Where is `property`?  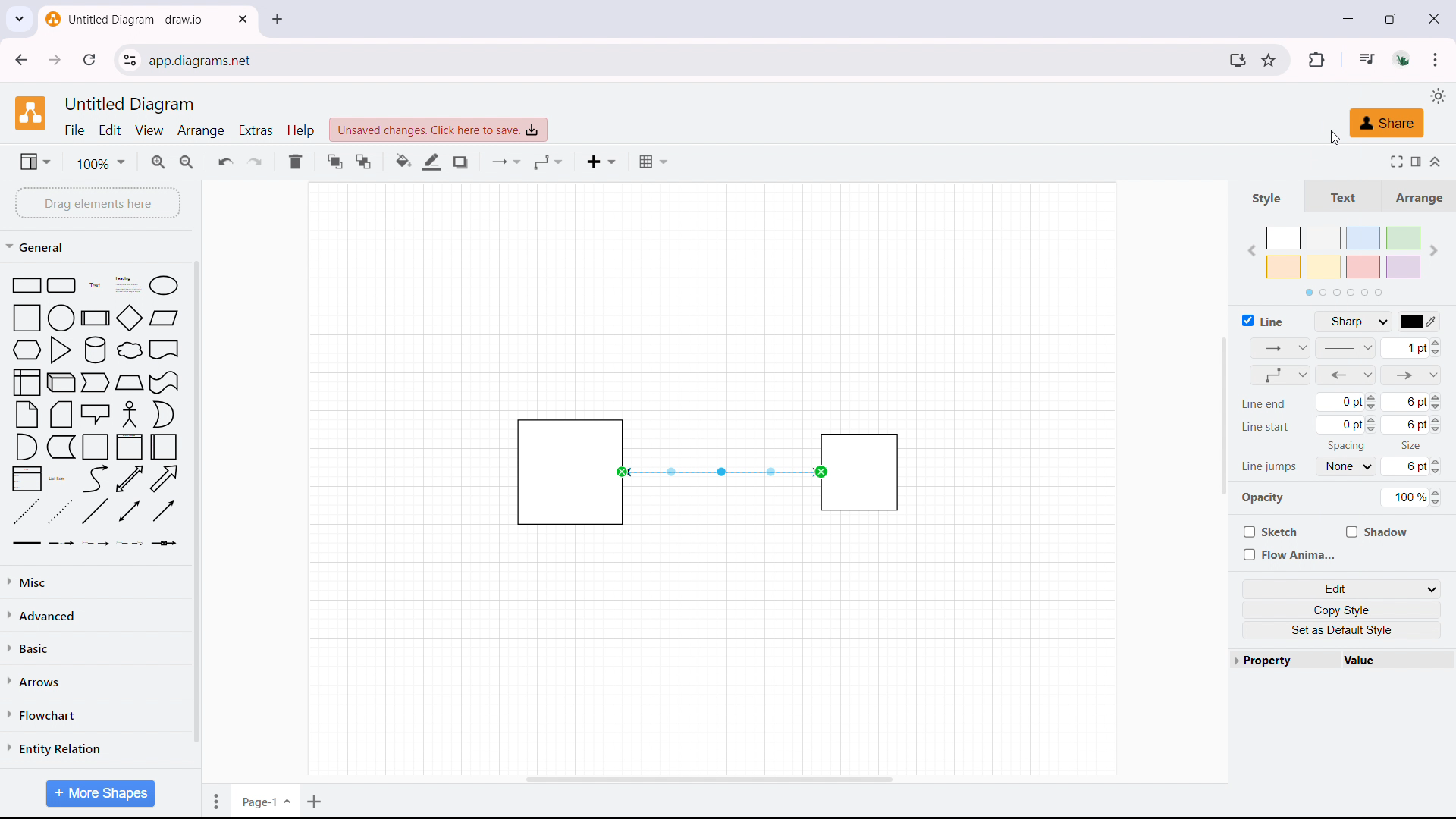
property is located at coordinates (1285, 659).